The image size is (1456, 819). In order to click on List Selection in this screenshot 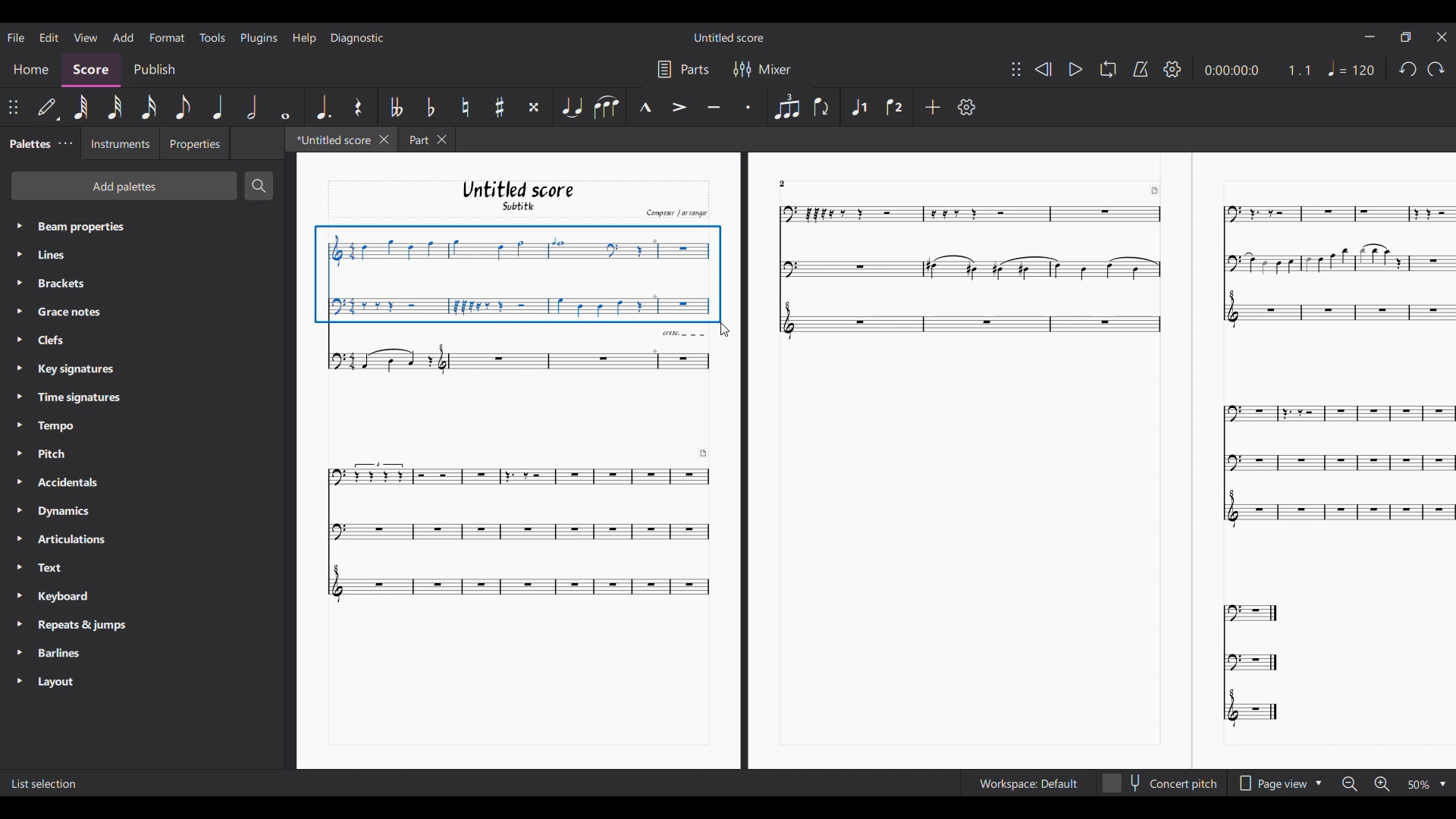, I will do `click(49, 783)`.